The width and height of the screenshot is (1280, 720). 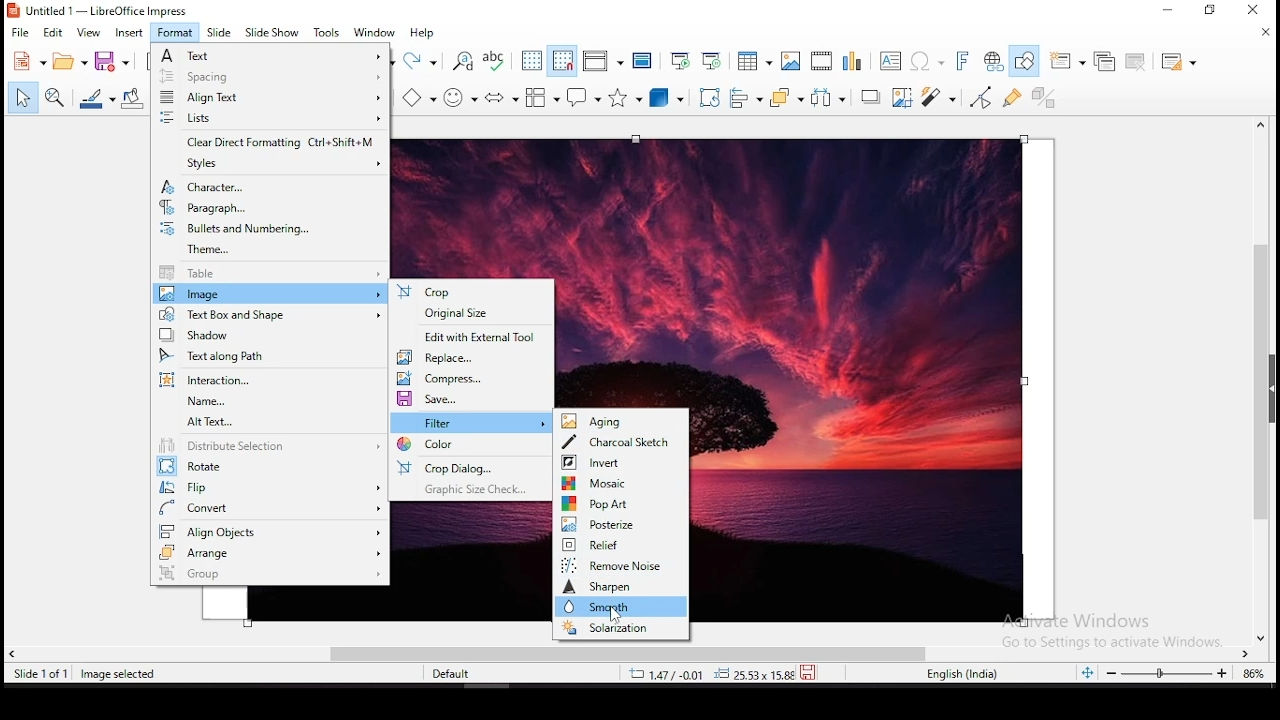 What do you see at coordinates (1178, 62) in the screenshot?
I see ` slide layout` at bounding box center [1178, 62].